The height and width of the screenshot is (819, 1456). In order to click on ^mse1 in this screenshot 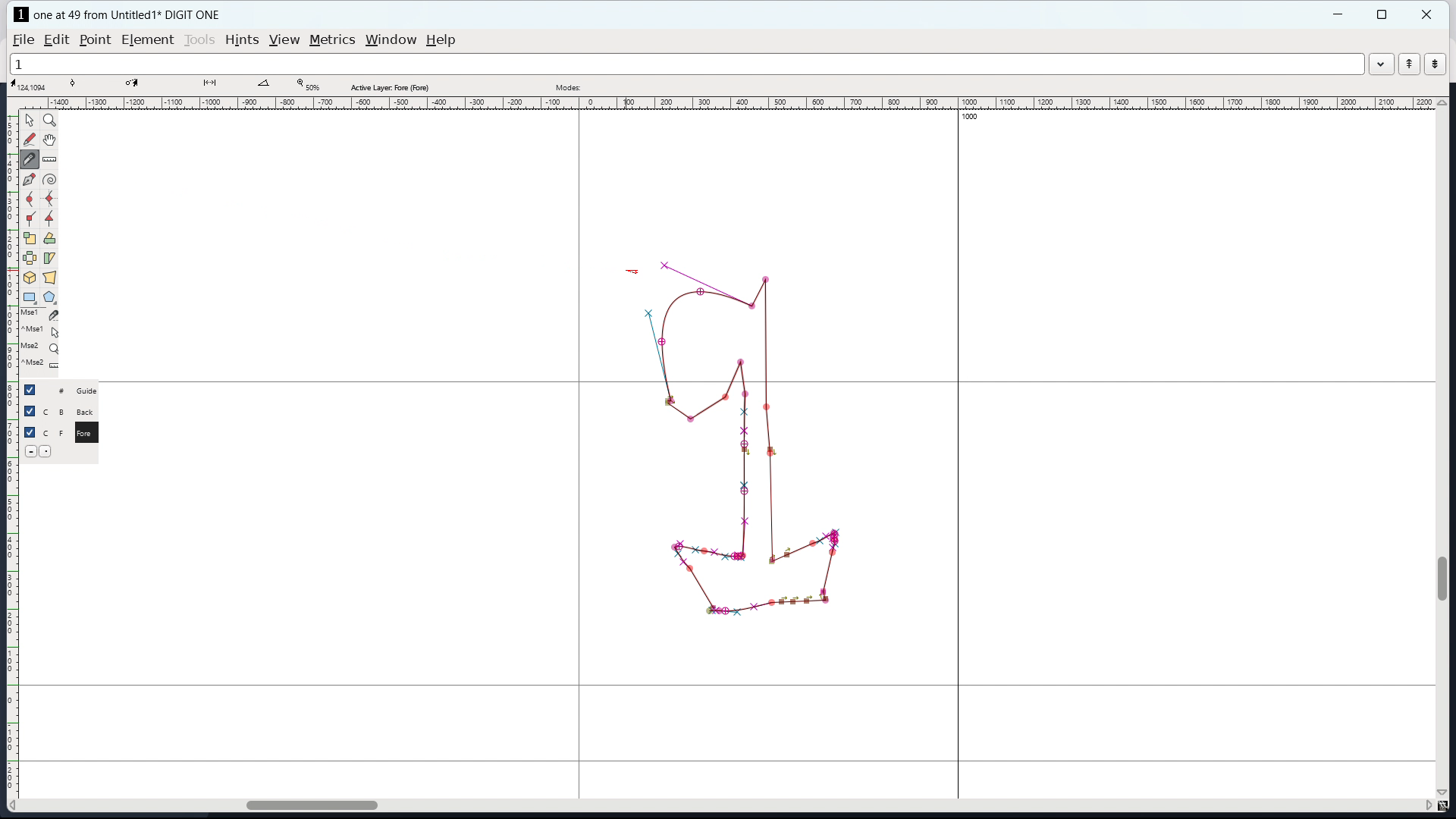, I will do `click(42, 329)`.